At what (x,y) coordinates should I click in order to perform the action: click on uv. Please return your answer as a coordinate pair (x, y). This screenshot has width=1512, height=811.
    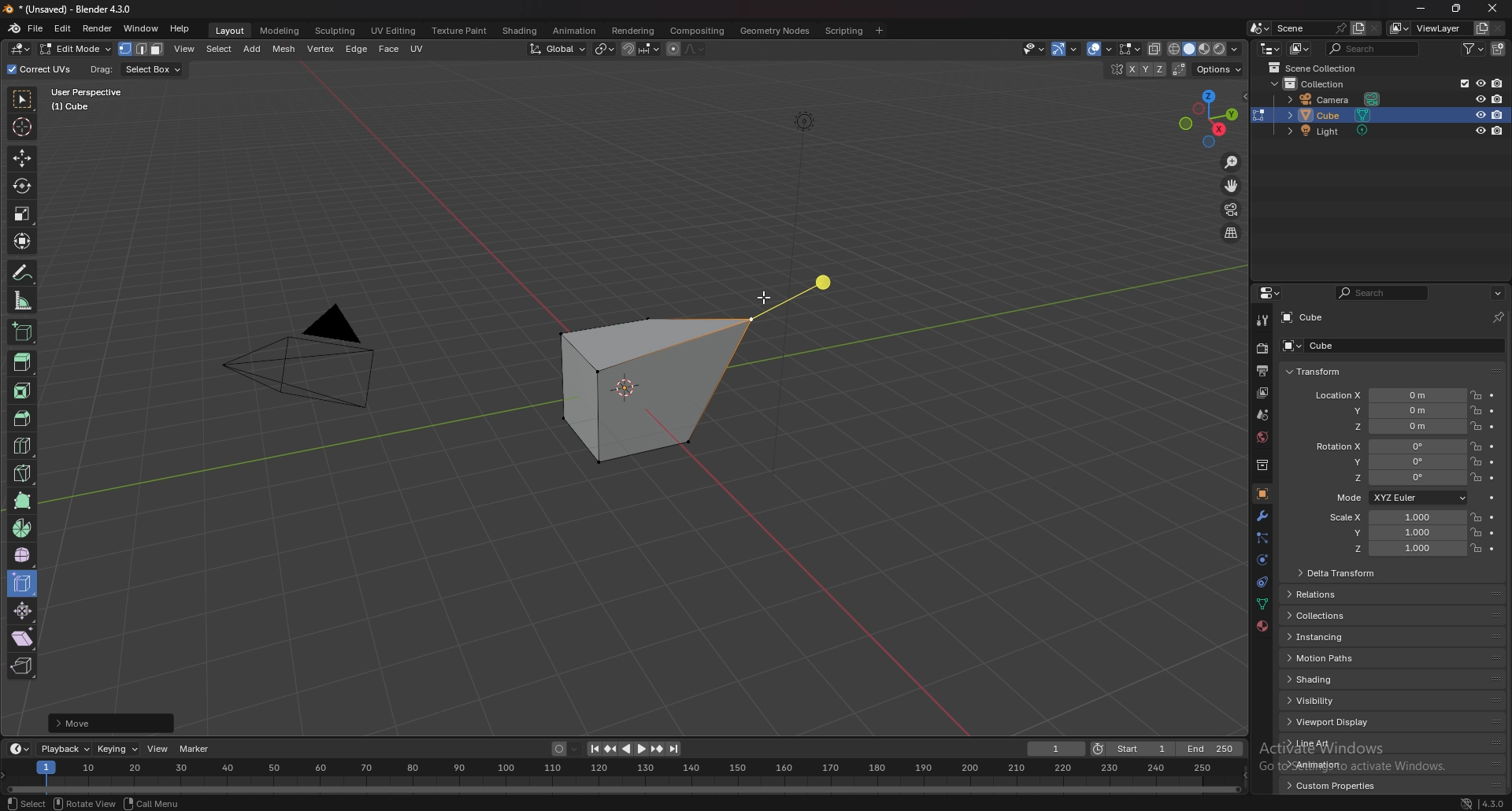
    Looking at the image, I should click on (417, 49).